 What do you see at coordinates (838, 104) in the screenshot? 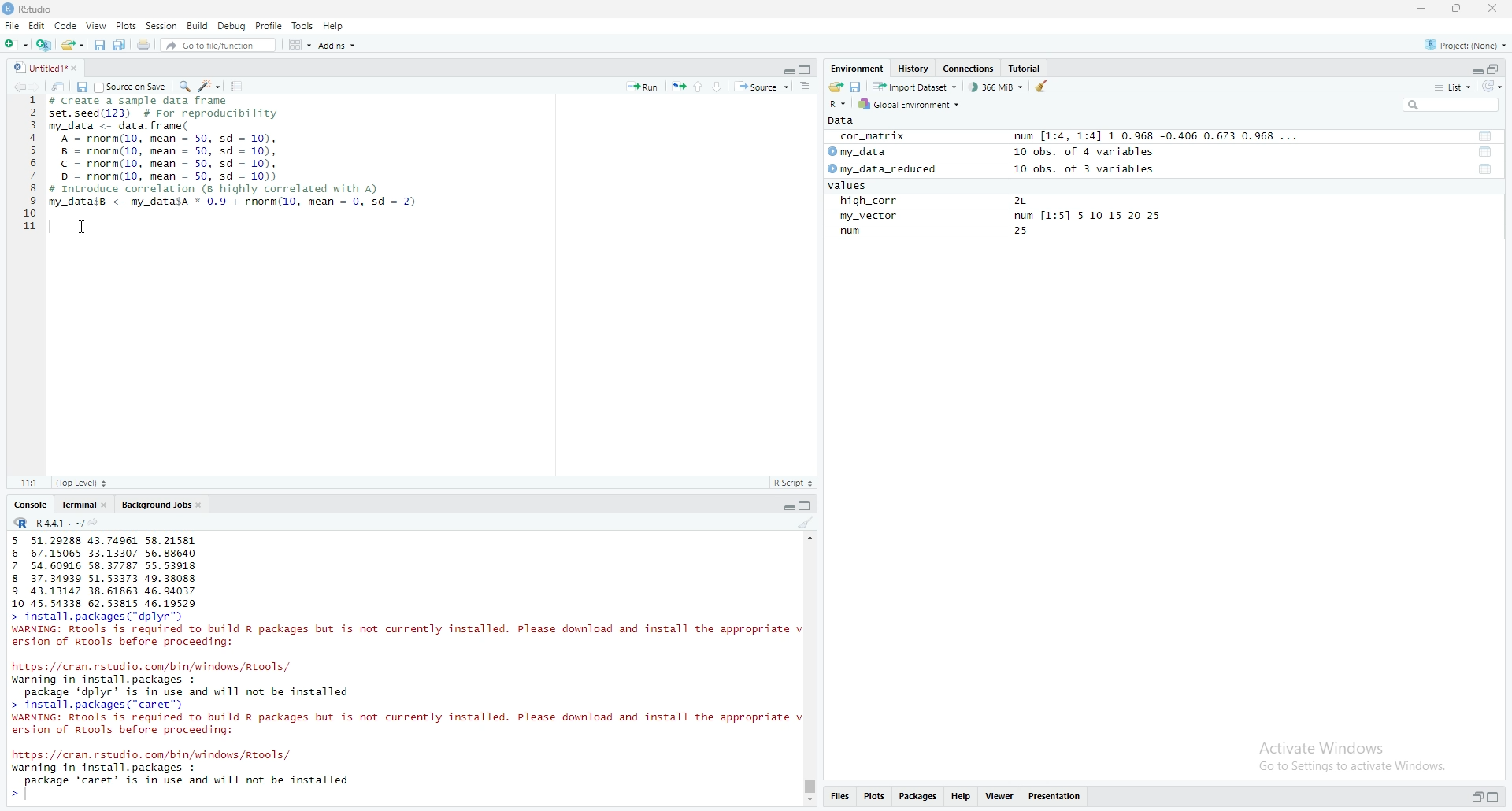
I see `R` at bounding box center [838, 104].